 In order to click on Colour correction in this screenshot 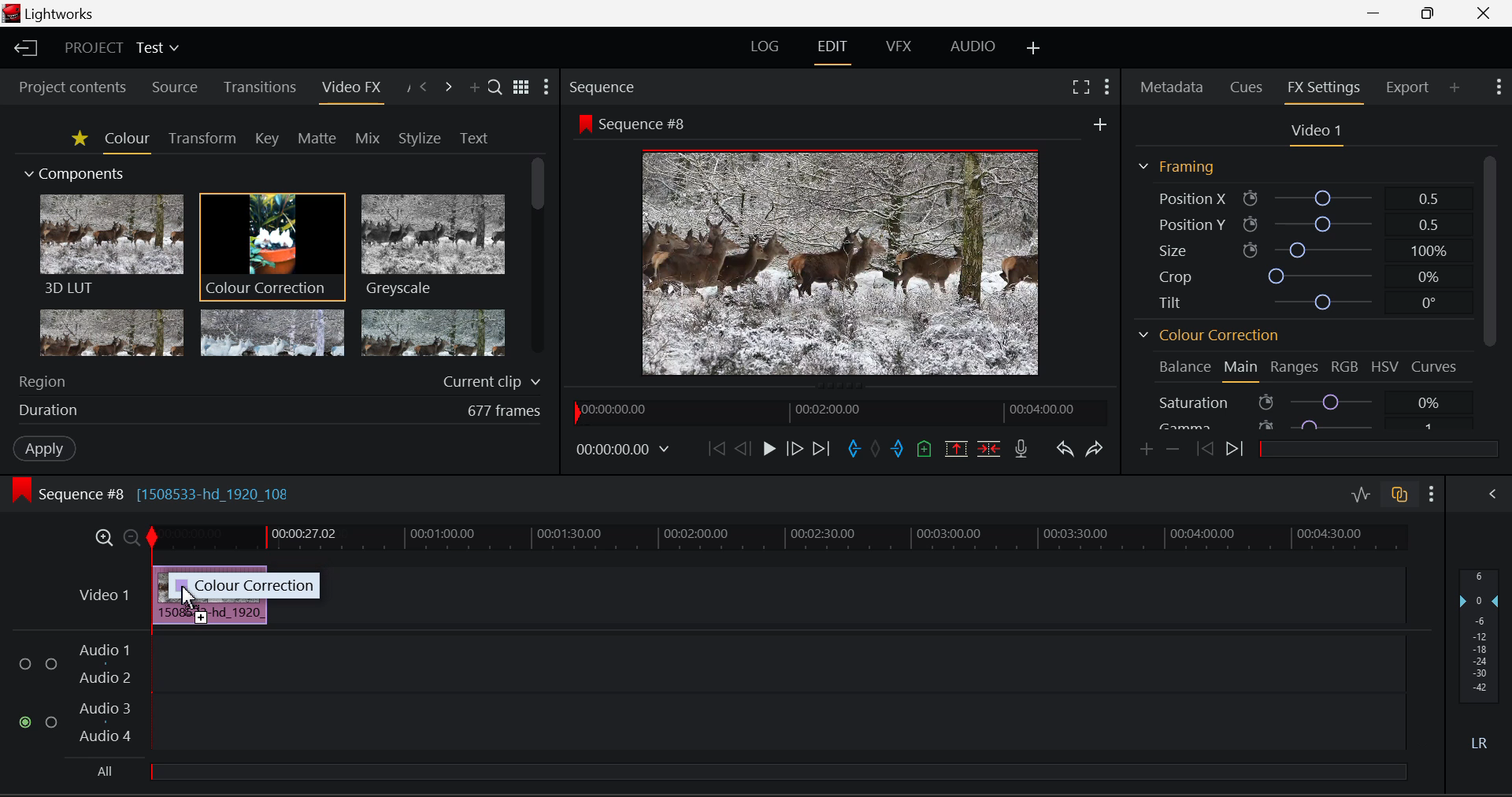, I will do `click(246, 585)`.